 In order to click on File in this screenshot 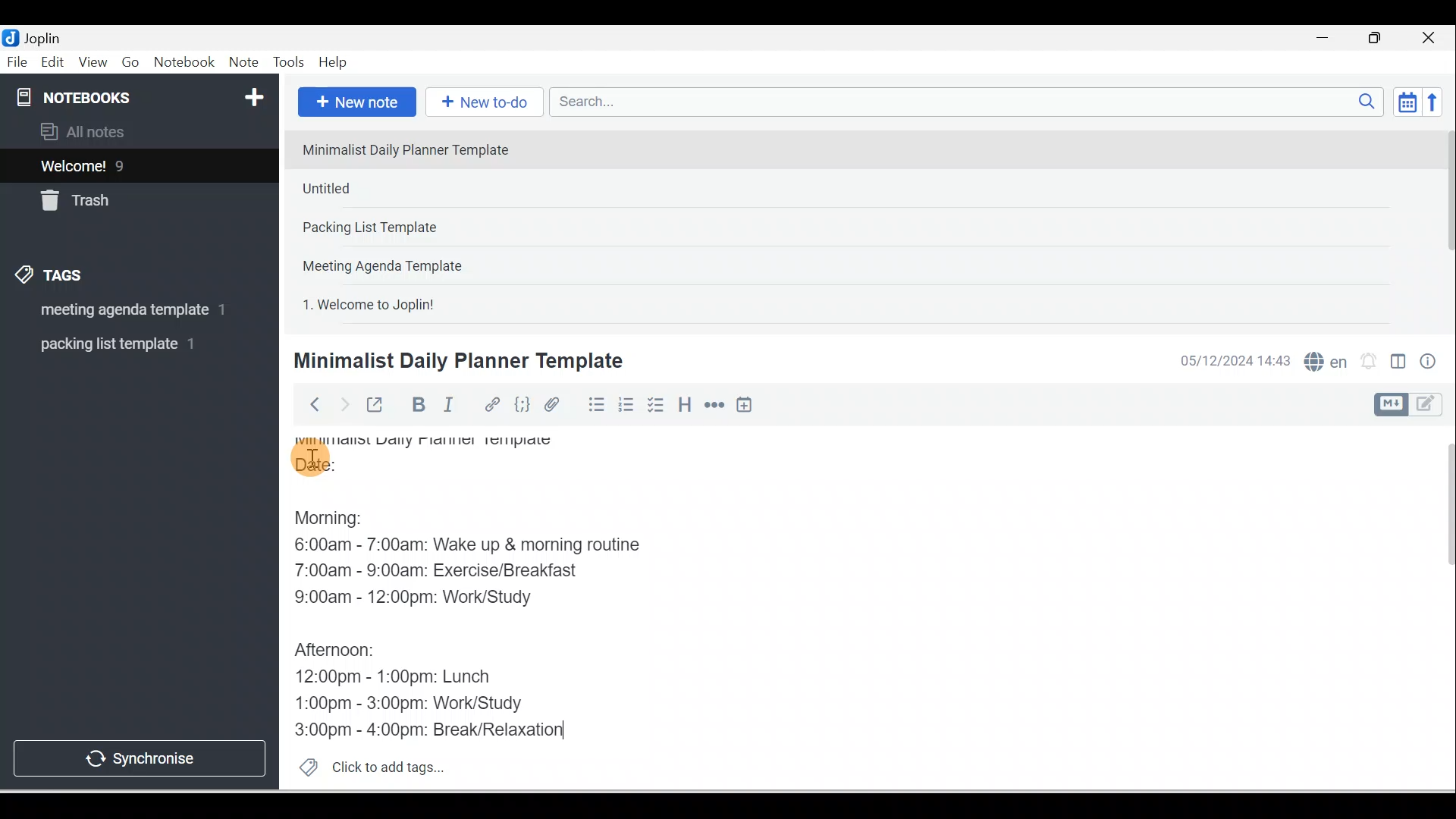, I will do `click(18, 61)`.